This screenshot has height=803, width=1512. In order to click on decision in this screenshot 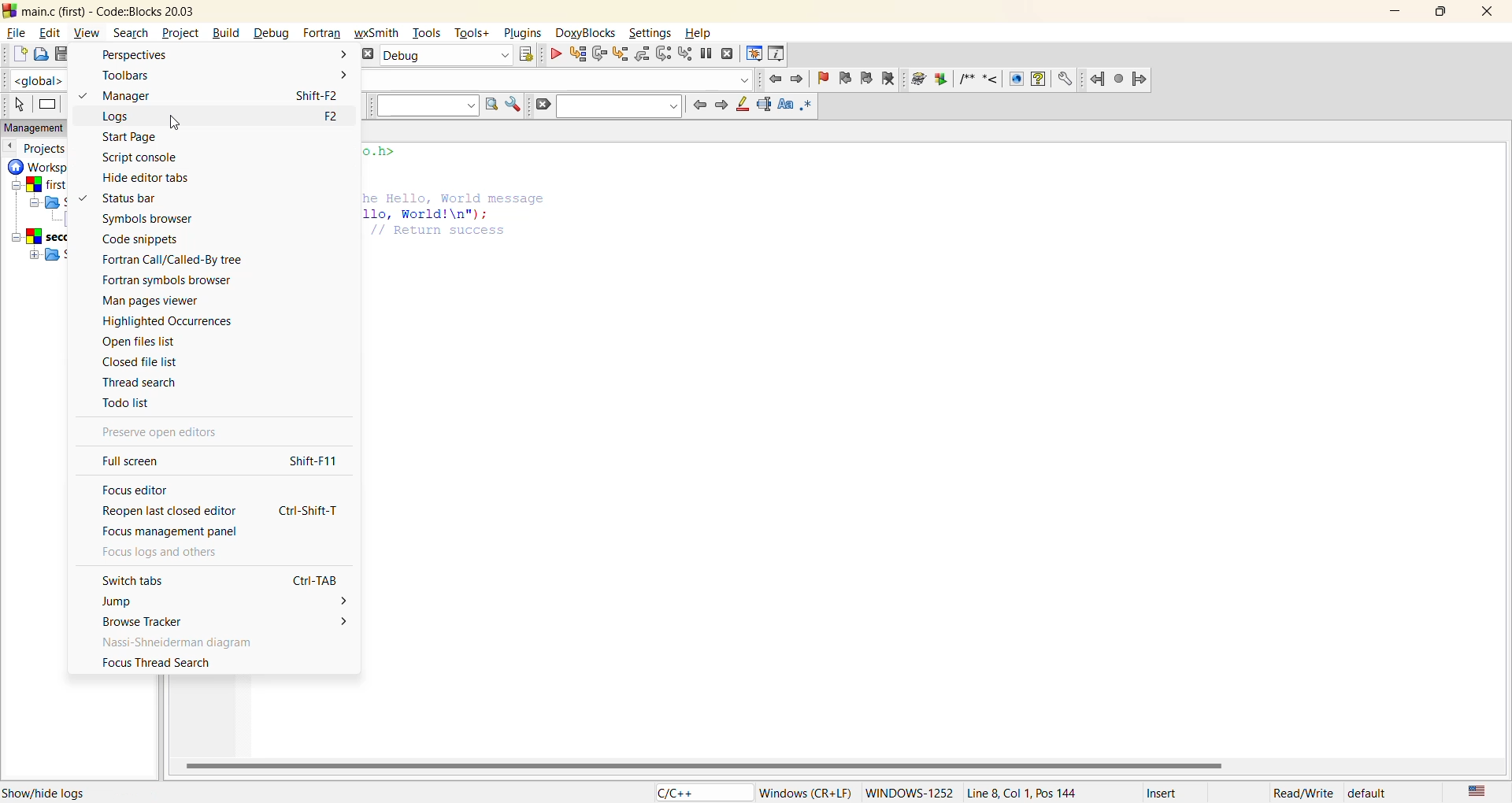, I will do `click(72, 105)`.